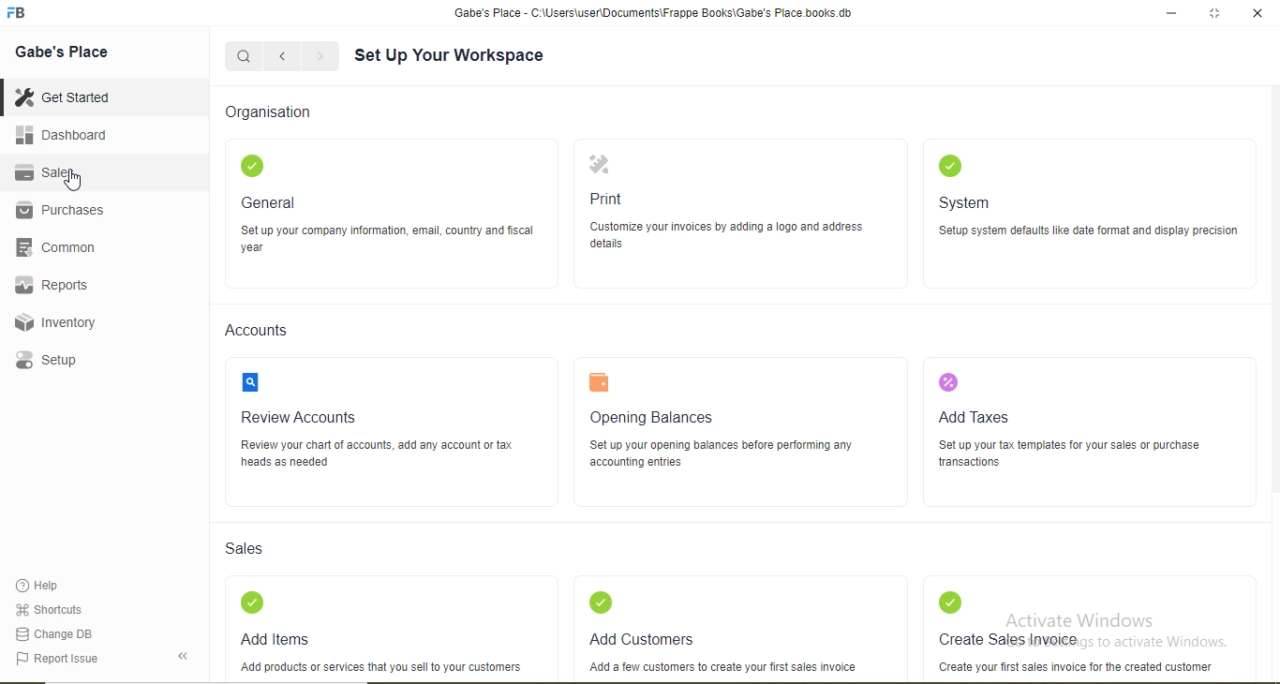 The image size is (1280, 684). I want to click on Set Up Your Workspace, so click(467, 57).